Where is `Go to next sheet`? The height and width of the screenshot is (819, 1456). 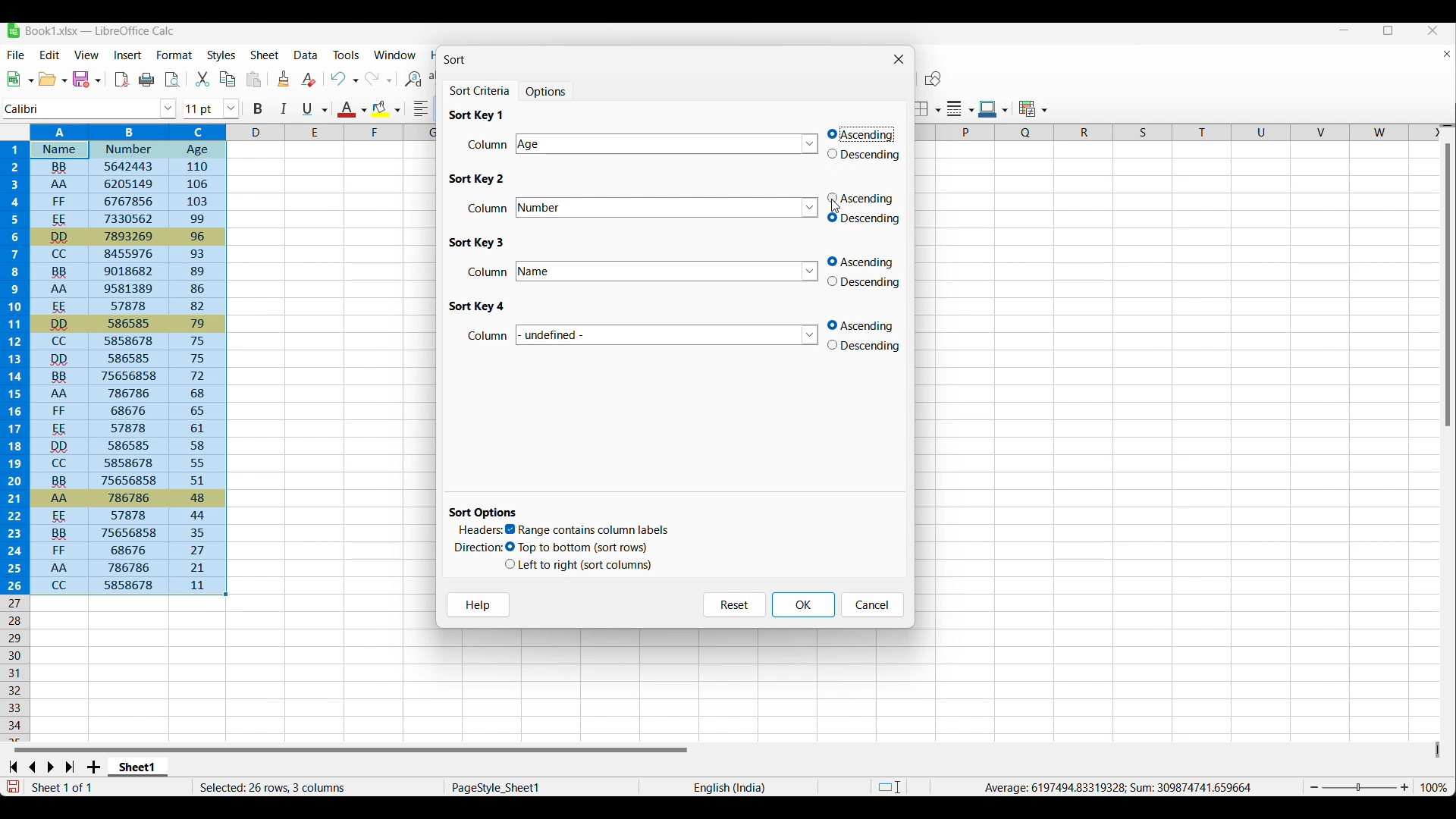 Go to next sheet is located at coordinates (50, 767).